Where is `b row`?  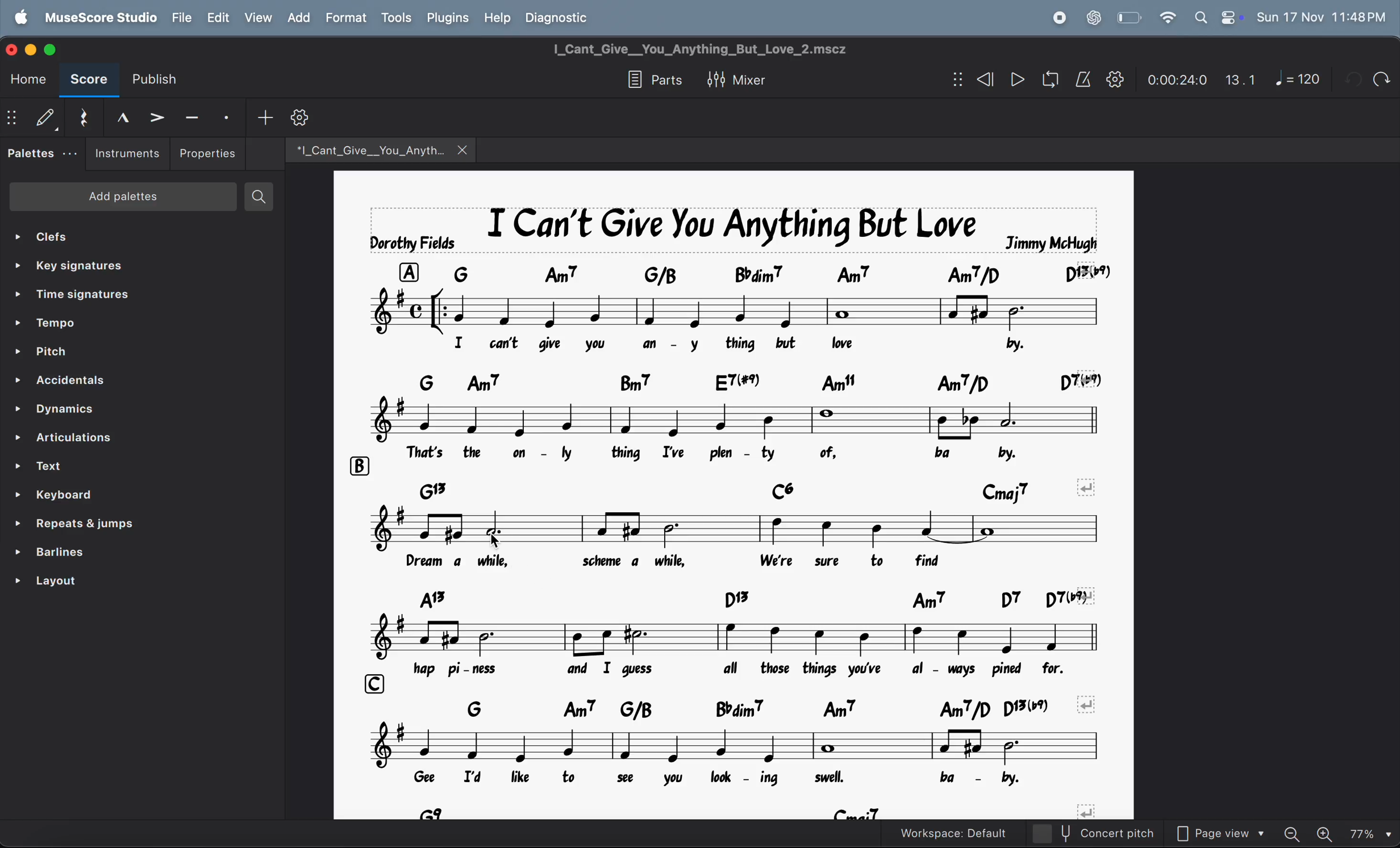 b row is located at coordinates (356, 465).